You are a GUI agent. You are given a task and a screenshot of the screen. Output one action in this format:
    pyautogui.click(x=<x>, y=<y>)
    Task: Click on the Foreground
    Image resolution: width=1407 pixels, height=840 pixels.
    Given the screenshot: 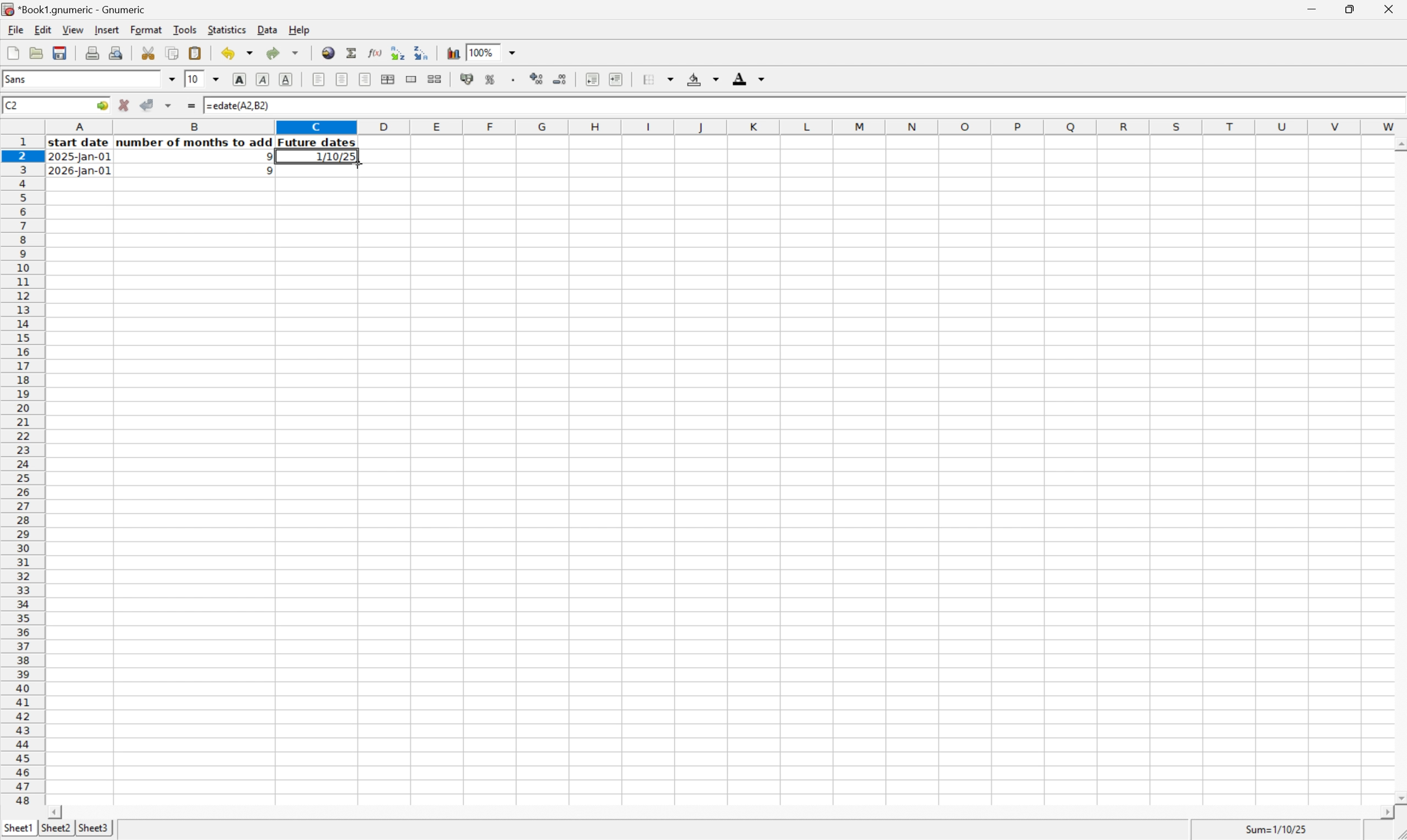 What is the action you would take?
    pyautogui.click(x=750, y=78)
    